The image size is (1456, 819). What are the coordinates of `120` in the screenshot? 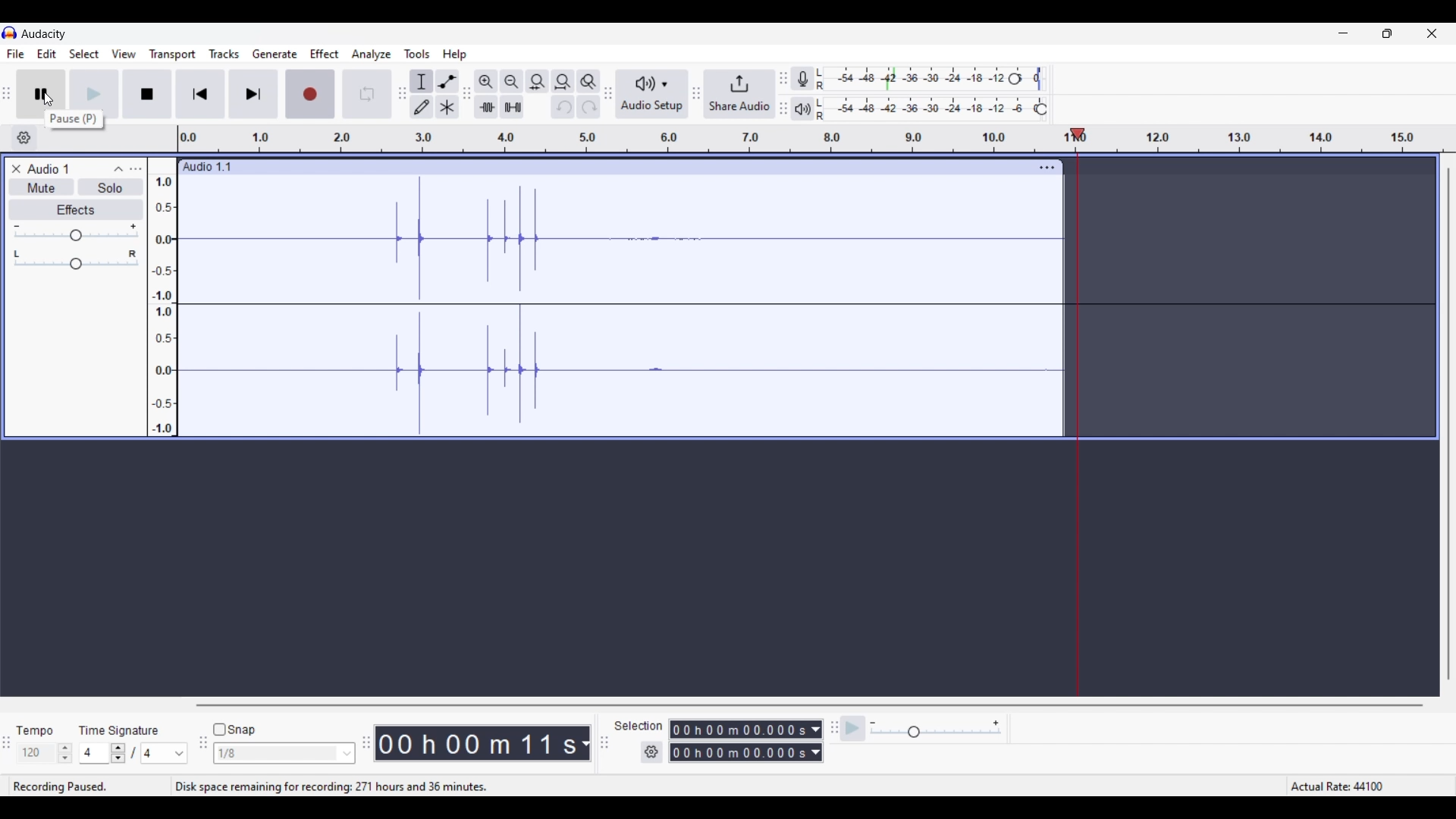 It's located at (36, 754).